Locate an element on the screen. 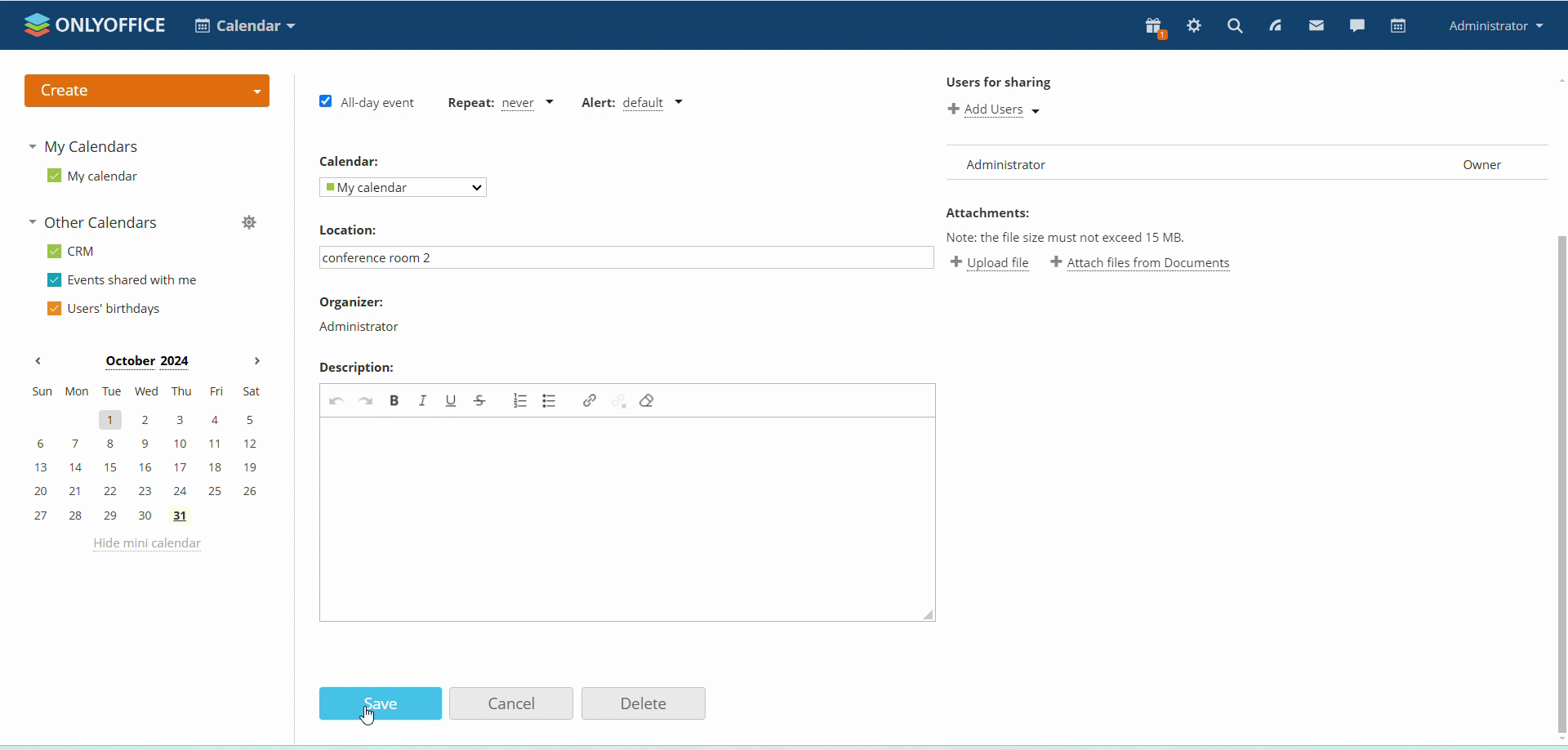  Note: the file size must not exceed 15 mb is located at coordinates (1068, 238).